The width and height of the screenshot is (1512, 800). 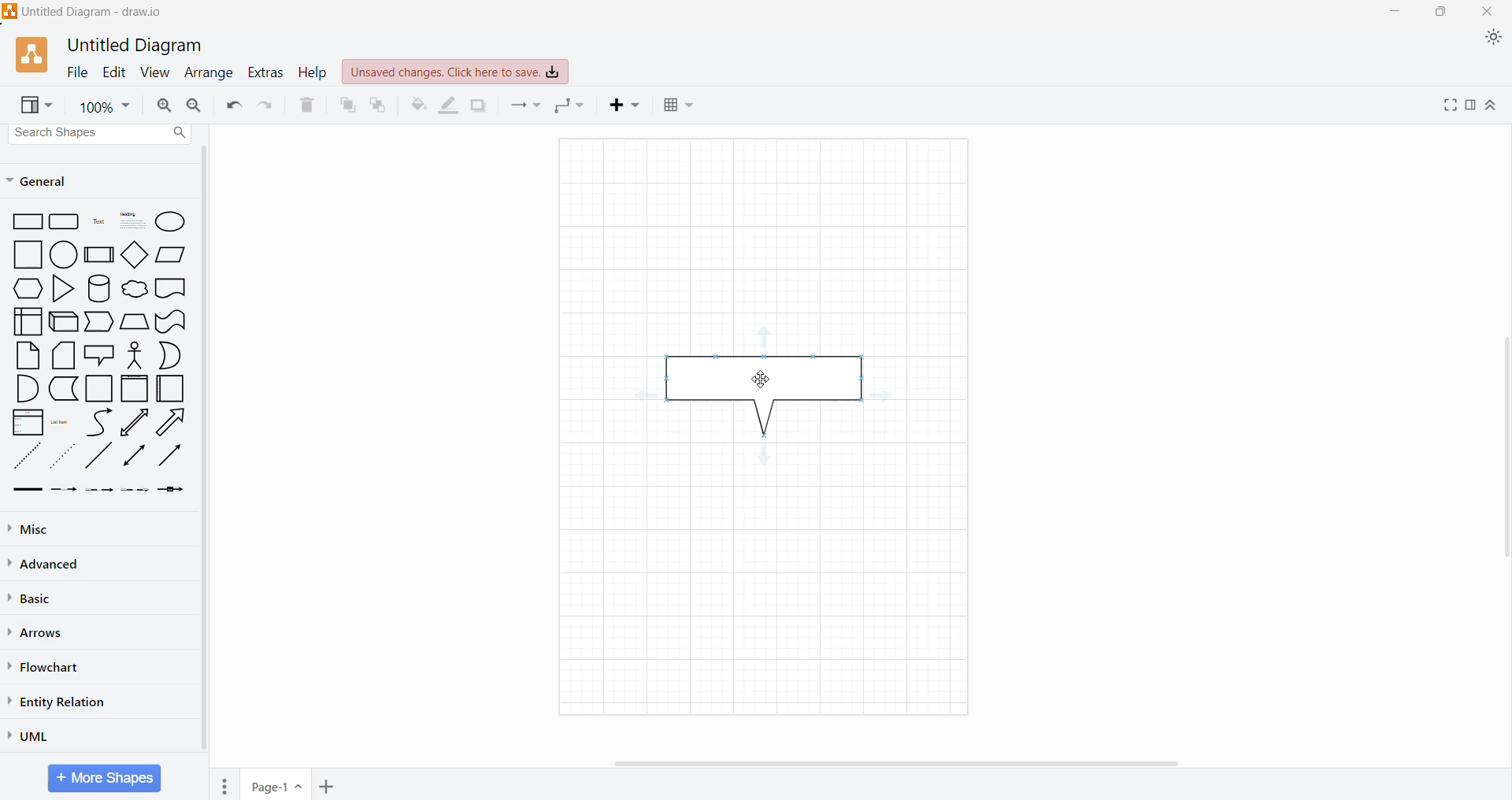 What do you see at coordinates (64, 491) in the screenshot?
I see `Dashed Arrow` at bounding box center [64, 491].